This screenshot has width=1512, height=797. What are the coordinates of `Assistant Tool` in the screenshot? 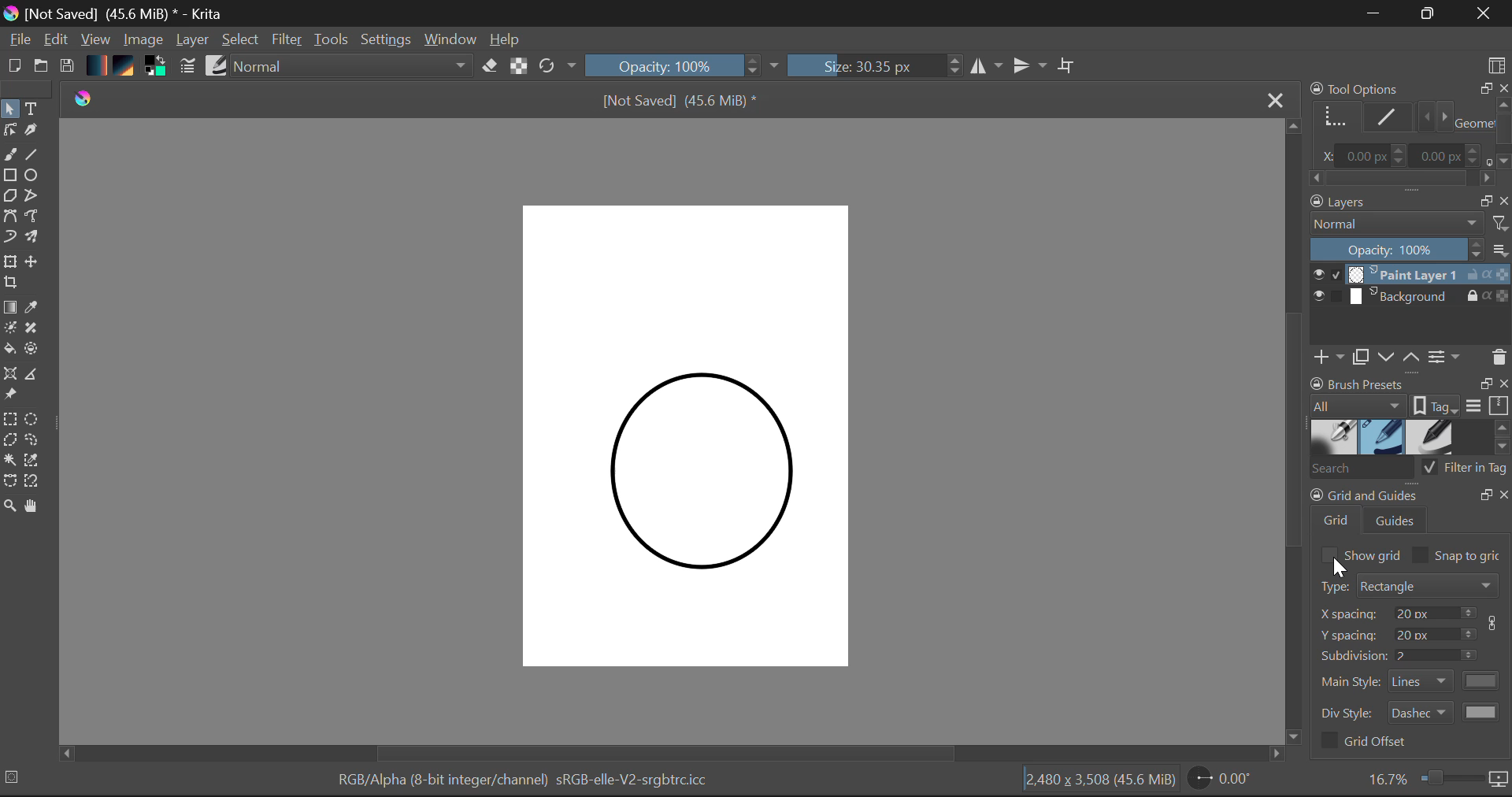 It's located at (11, 375).